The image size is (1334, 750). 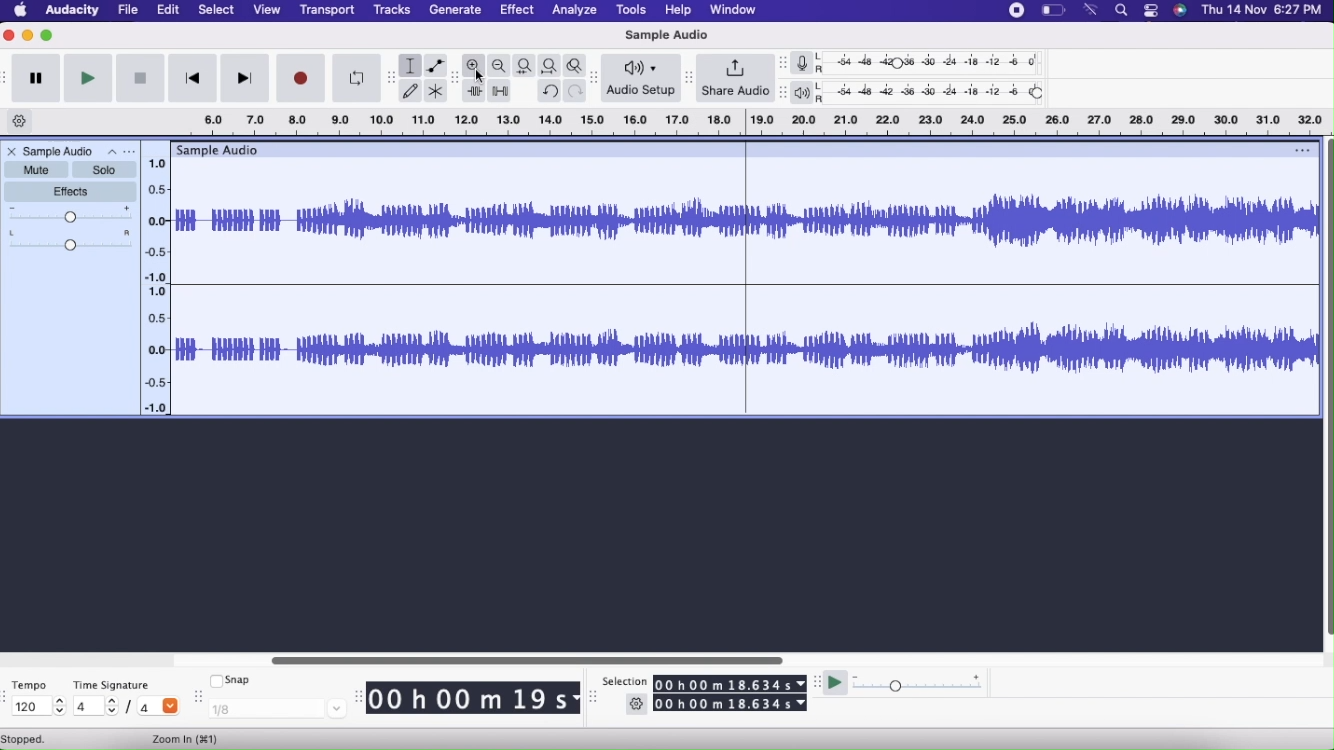 I want to click on Sample Audio, so click(x=59, y=151).